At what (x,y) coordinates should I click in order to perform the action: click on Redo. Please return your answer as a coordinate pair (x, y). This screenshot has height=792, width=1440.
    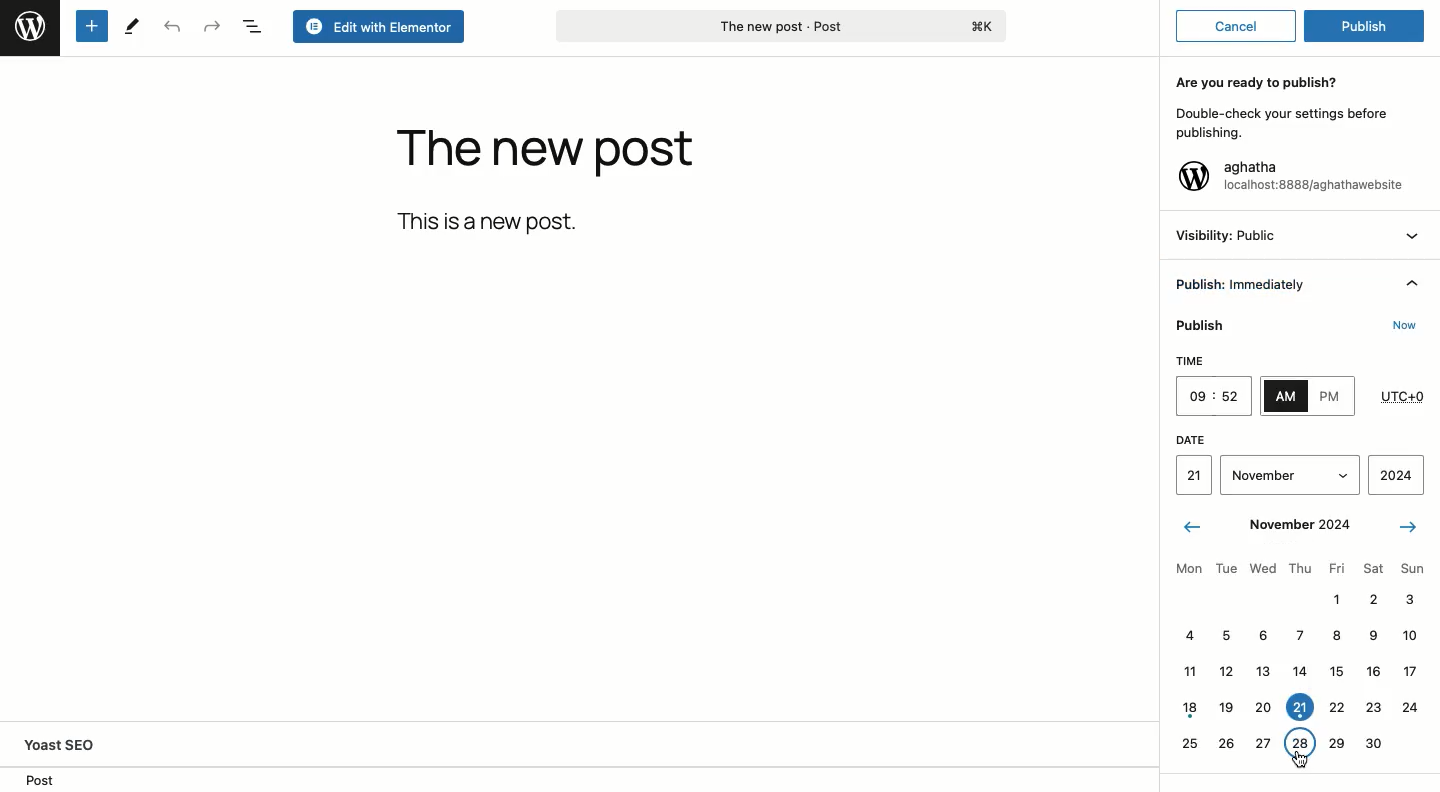
    Looking at the image, I should click on (213, 25).